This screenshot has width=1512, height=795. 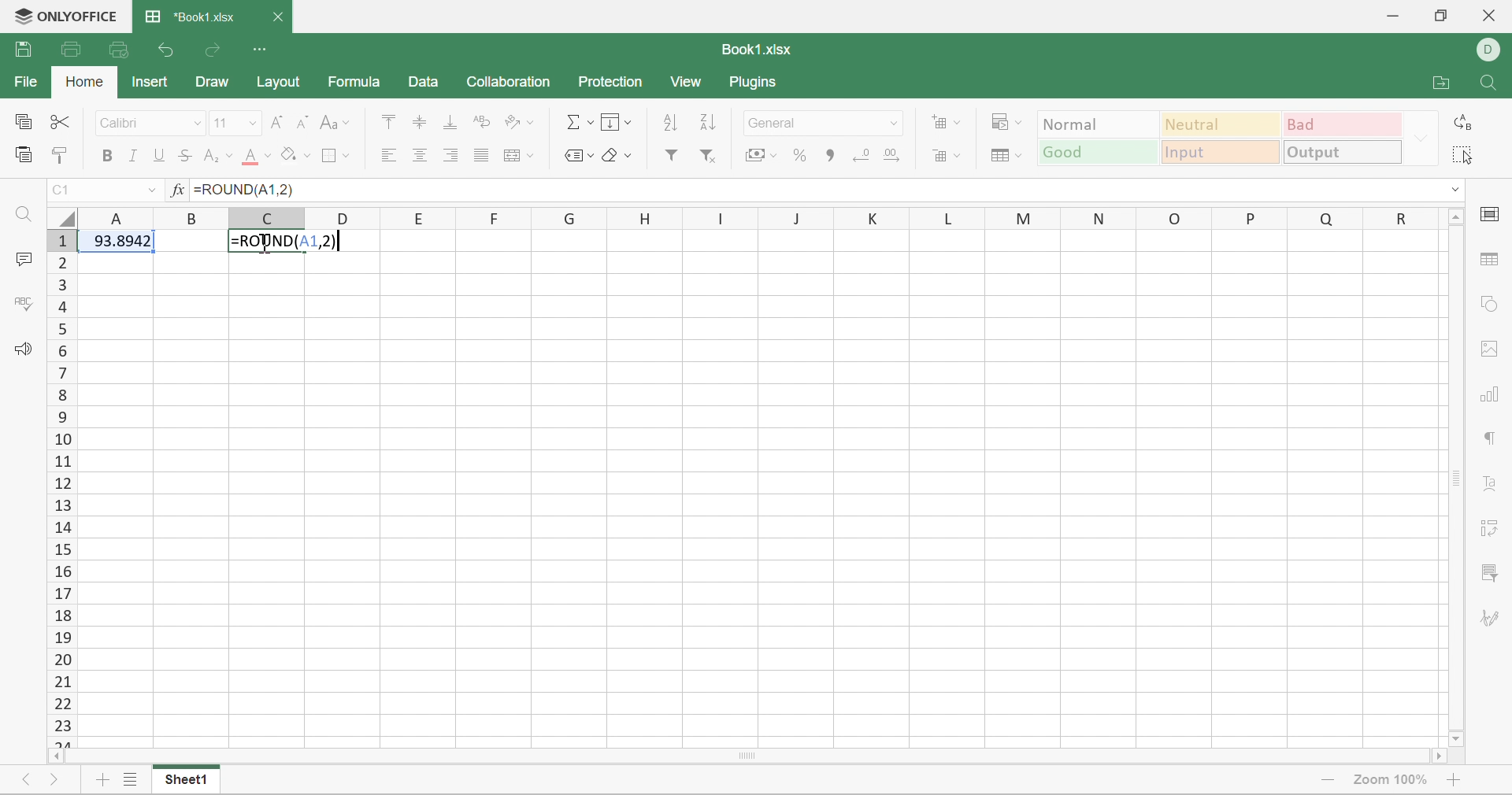 What do you see at coordinates (1344, 123) in the screenshot?
I see `Bad` at bounding box center [1344, 123].